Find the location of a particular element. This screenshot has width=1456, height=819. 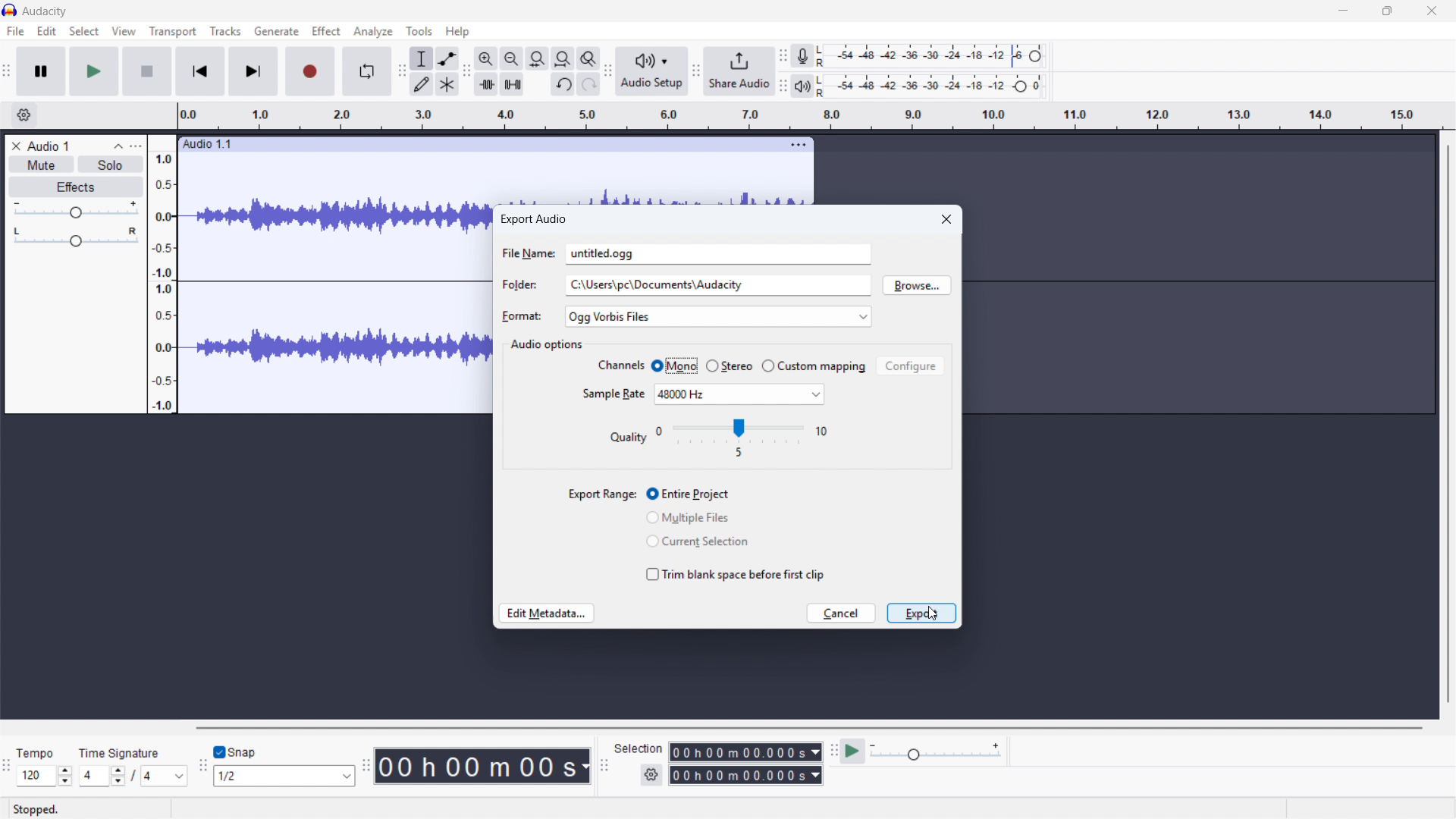

Analyse  is located at coordinates (372, 31).